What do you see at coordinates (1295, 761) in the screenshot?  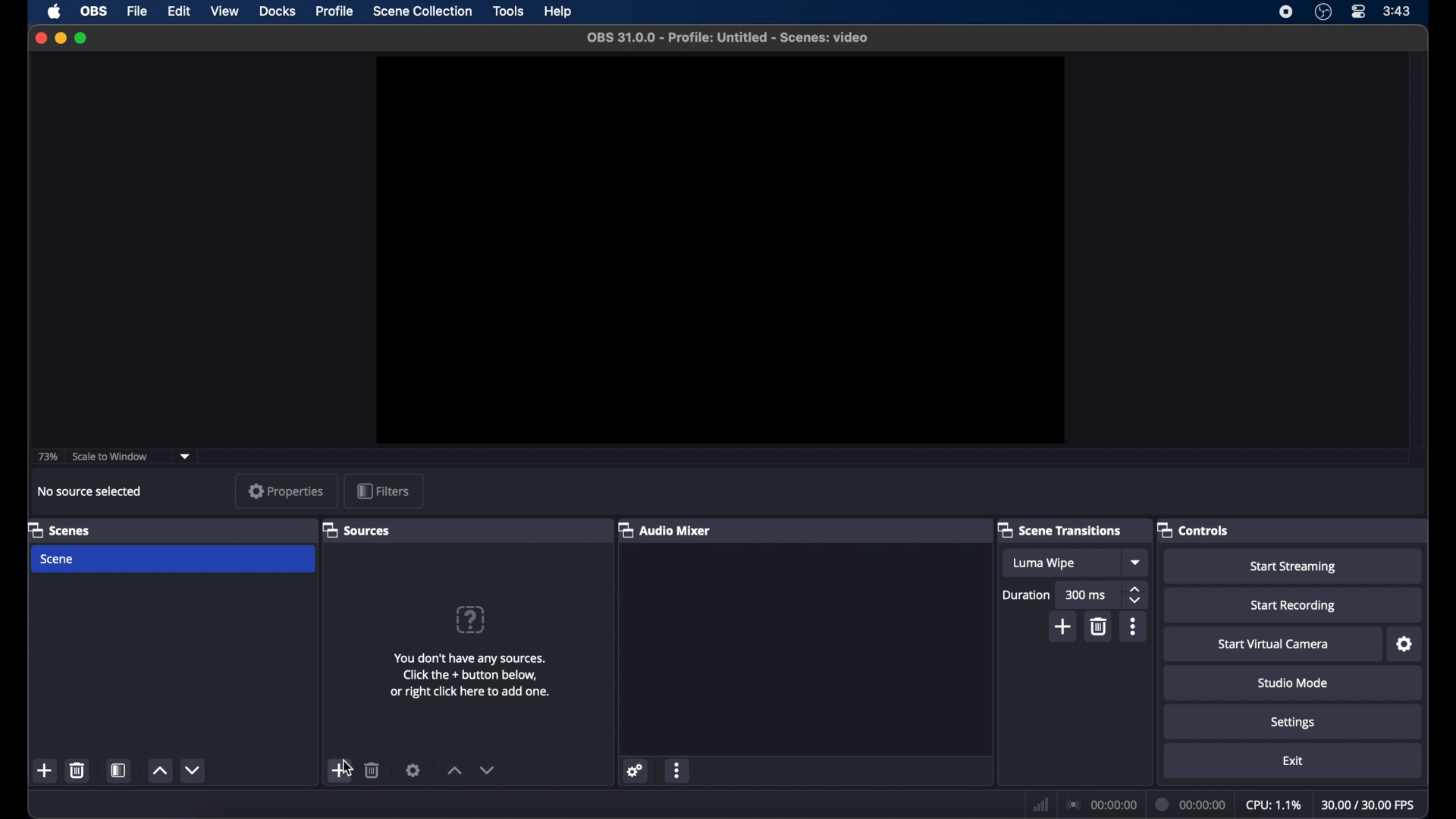 I see `exit` at bounding box center [1295, 761].